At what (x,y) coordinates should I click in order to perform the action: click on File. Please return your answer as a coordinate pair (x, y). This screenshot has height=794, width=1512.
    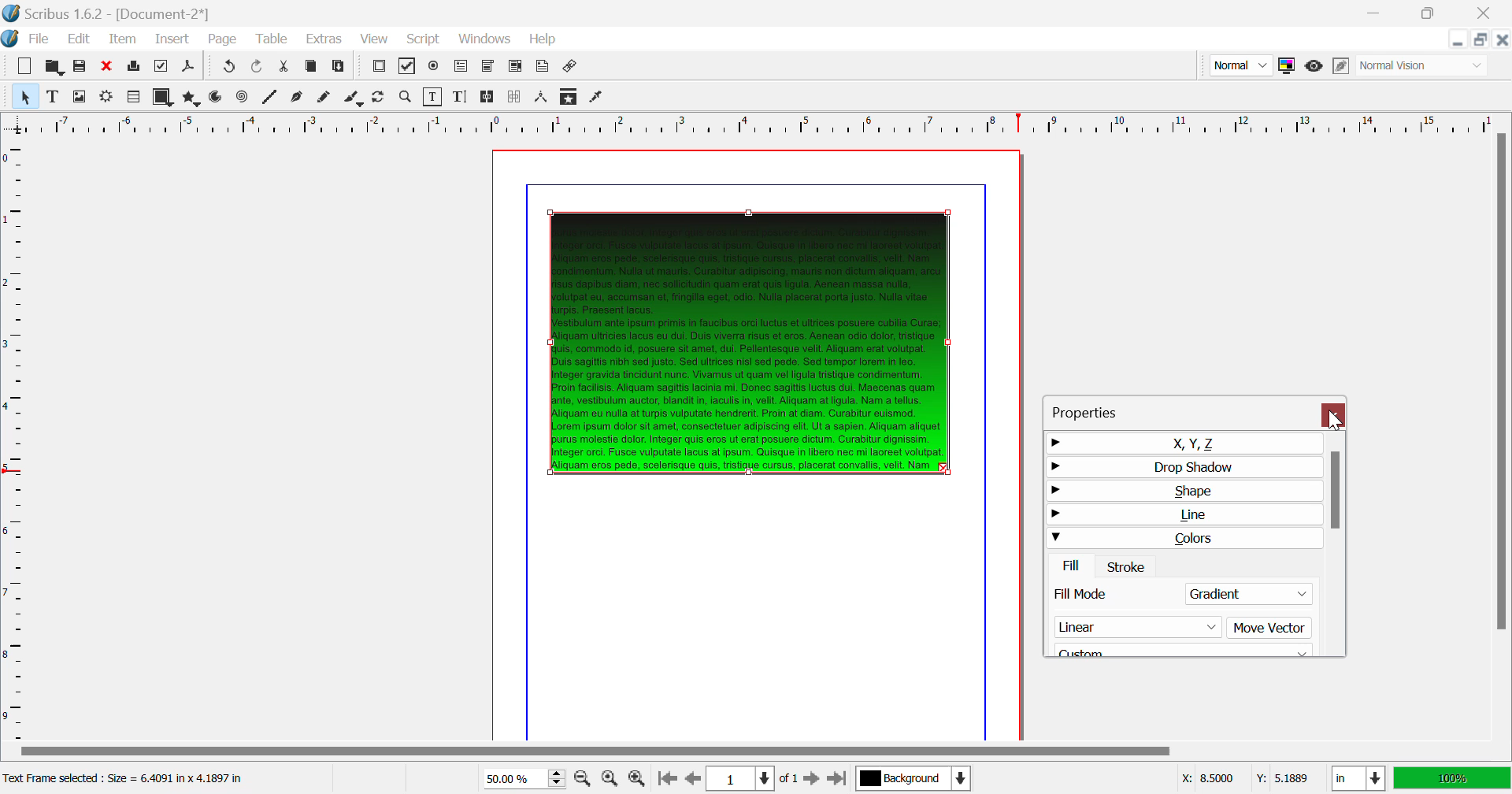
    Looking at the image, I should click on (28, 39).